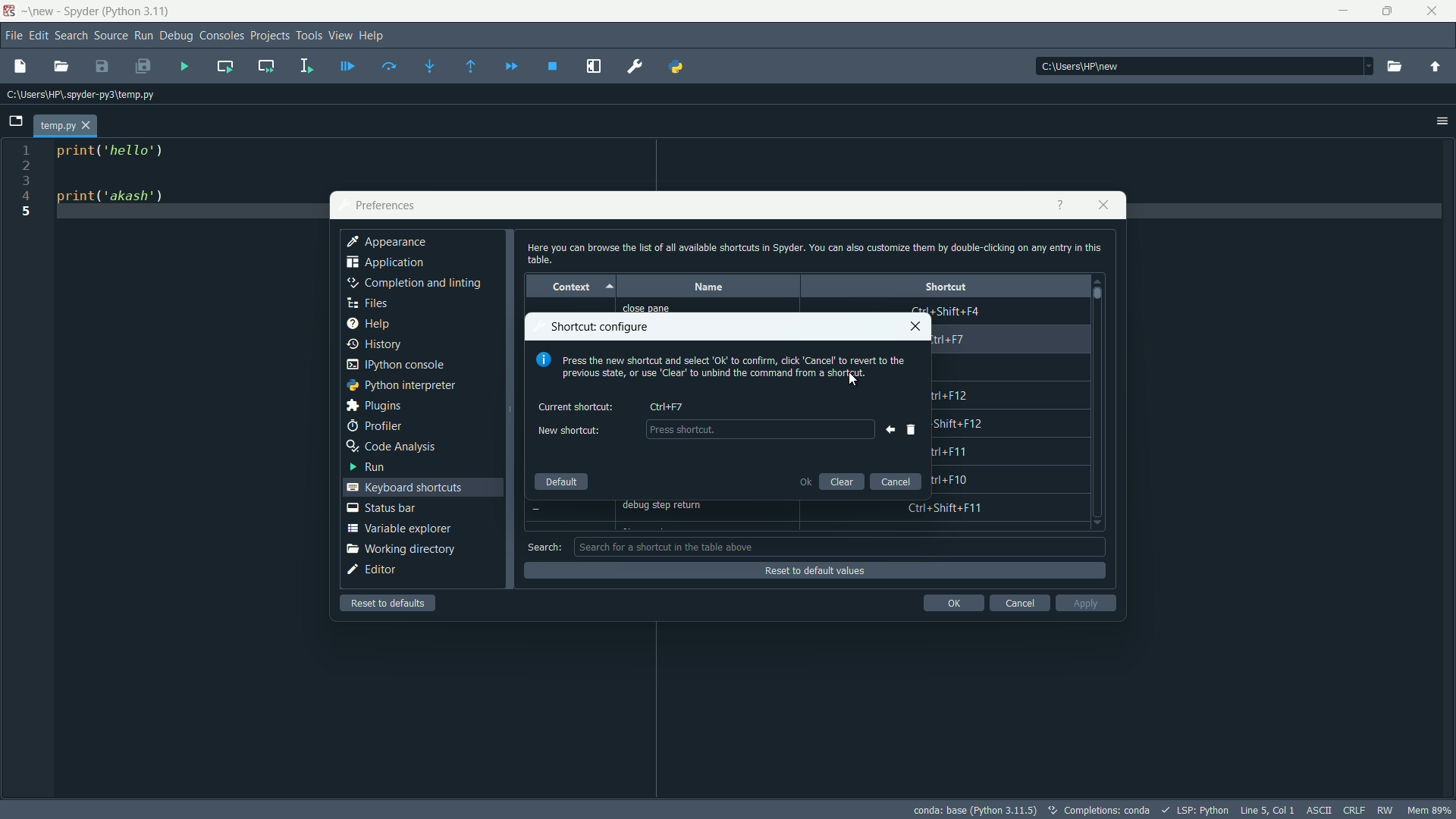  I want to click on variable explorer, so click(398, 528).